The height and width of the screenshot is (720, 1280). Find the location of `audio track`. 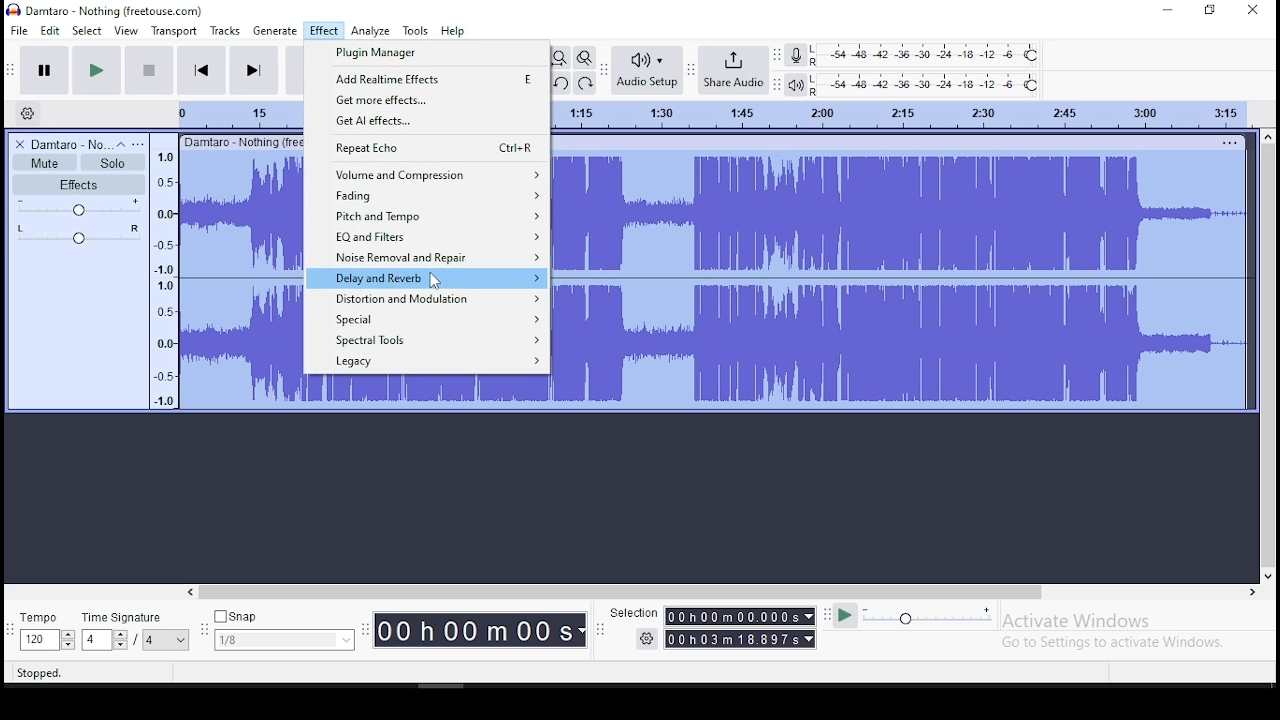

audio track is located at coordinates (901, 344).